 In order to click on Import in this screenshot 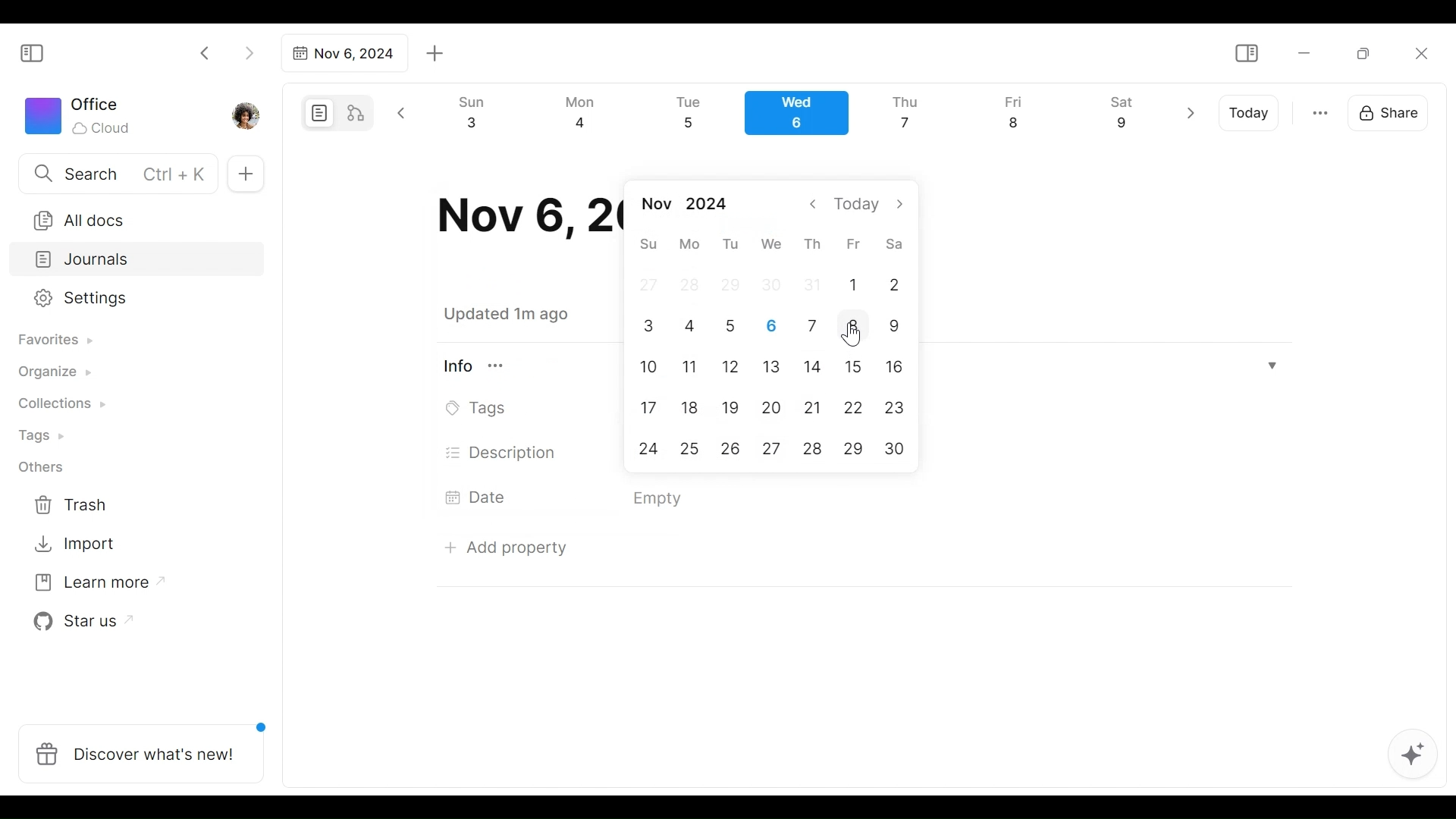, I will do `click(77, 542)`.